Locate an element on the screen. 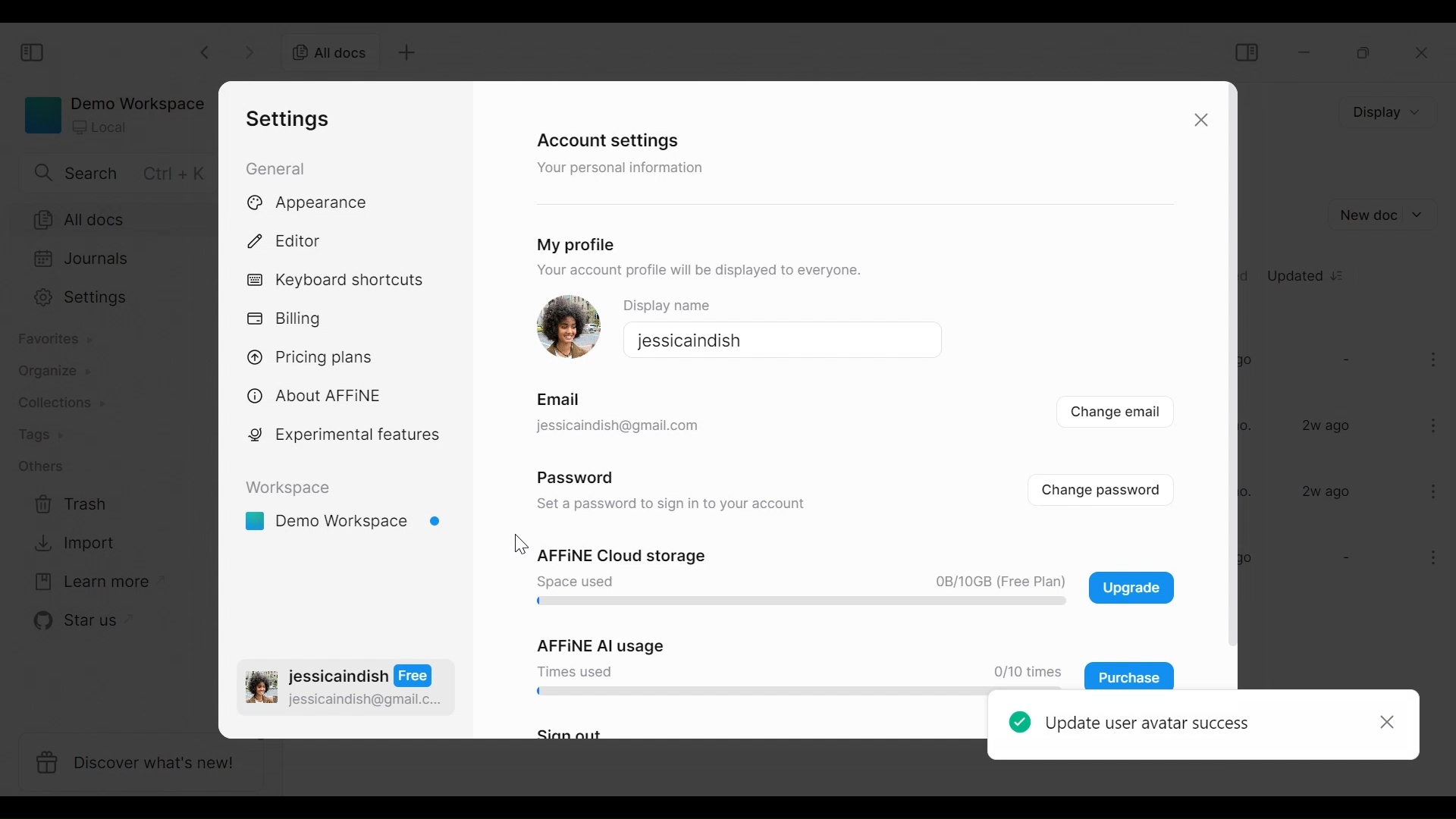   is located at coordinates (616, 426).